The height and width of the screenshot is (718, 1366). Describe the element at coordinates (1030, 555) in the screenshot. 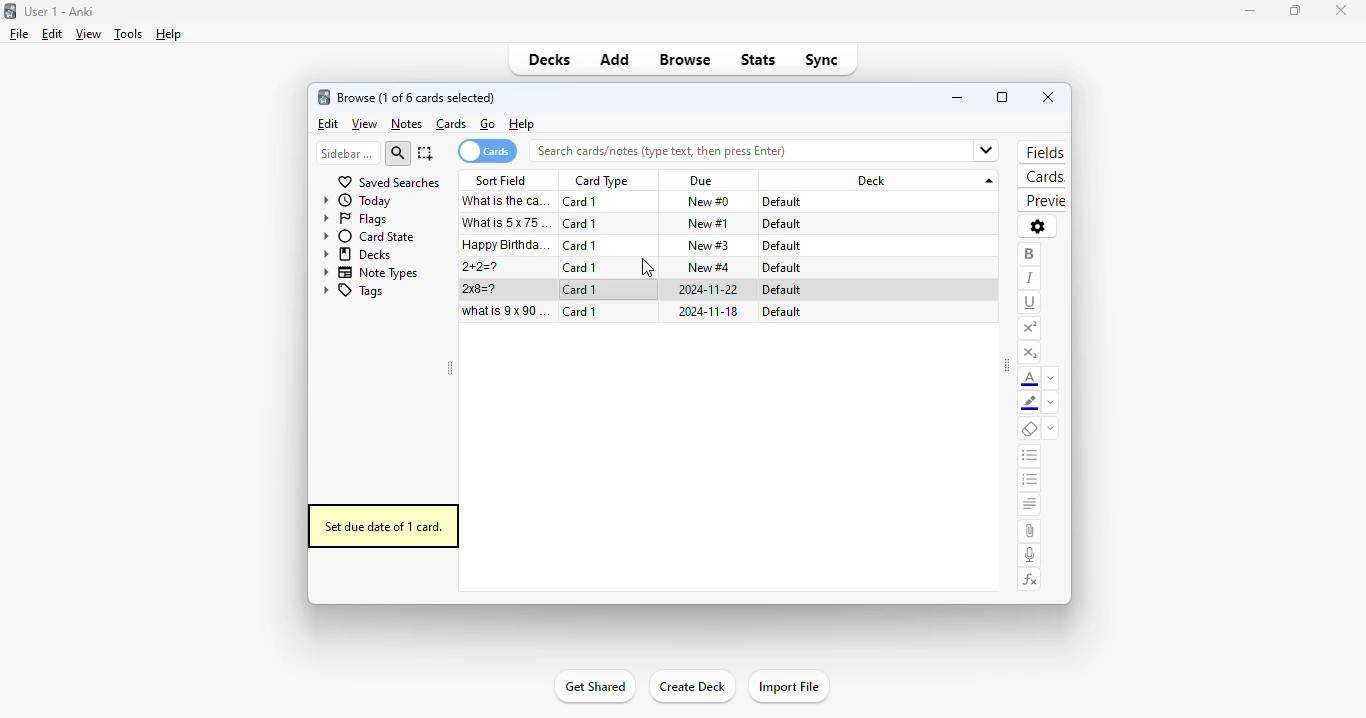

I see `record audio` at that location.